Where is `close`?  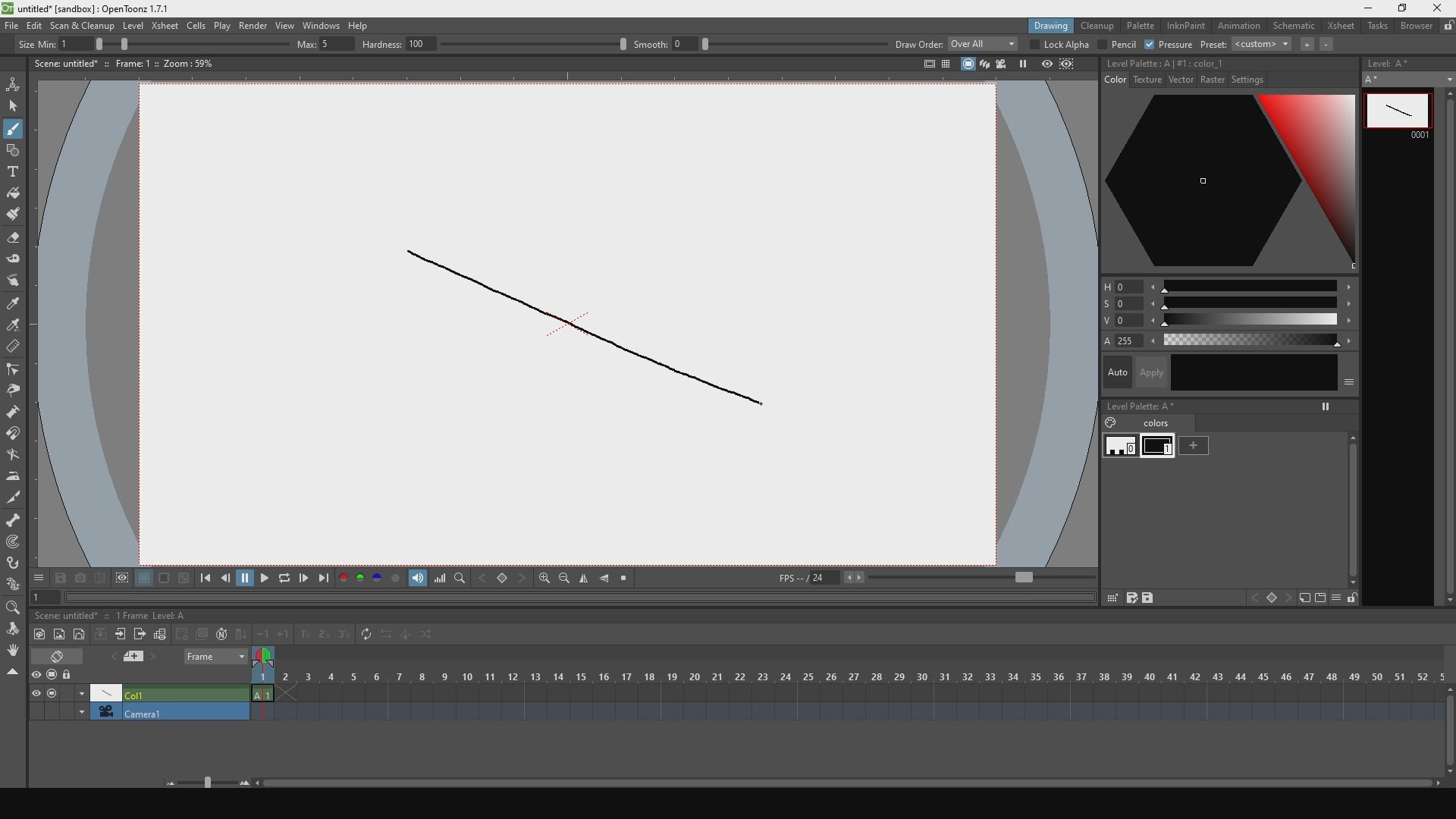 close is located at coordinates (14, 672).